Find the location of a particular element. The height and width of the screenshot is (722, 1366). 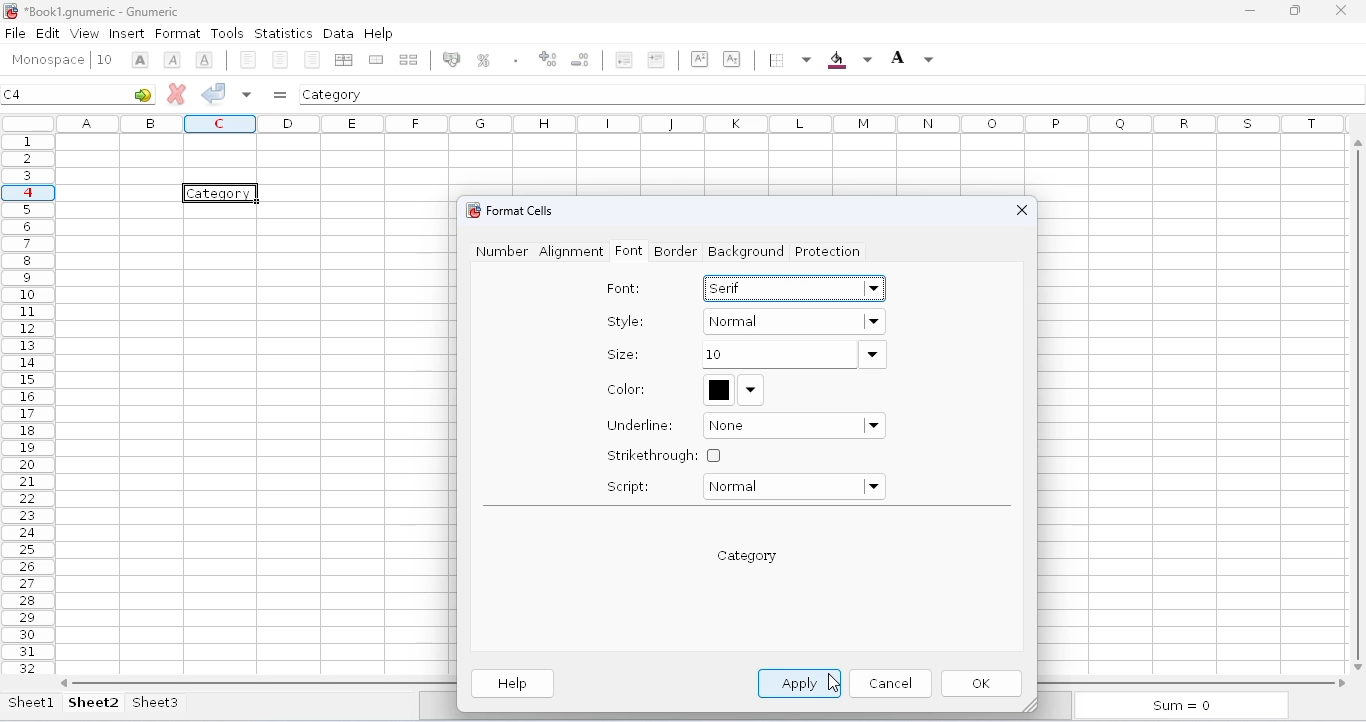

decrease the number of decimals displayed is located at coordinates (581, 59).